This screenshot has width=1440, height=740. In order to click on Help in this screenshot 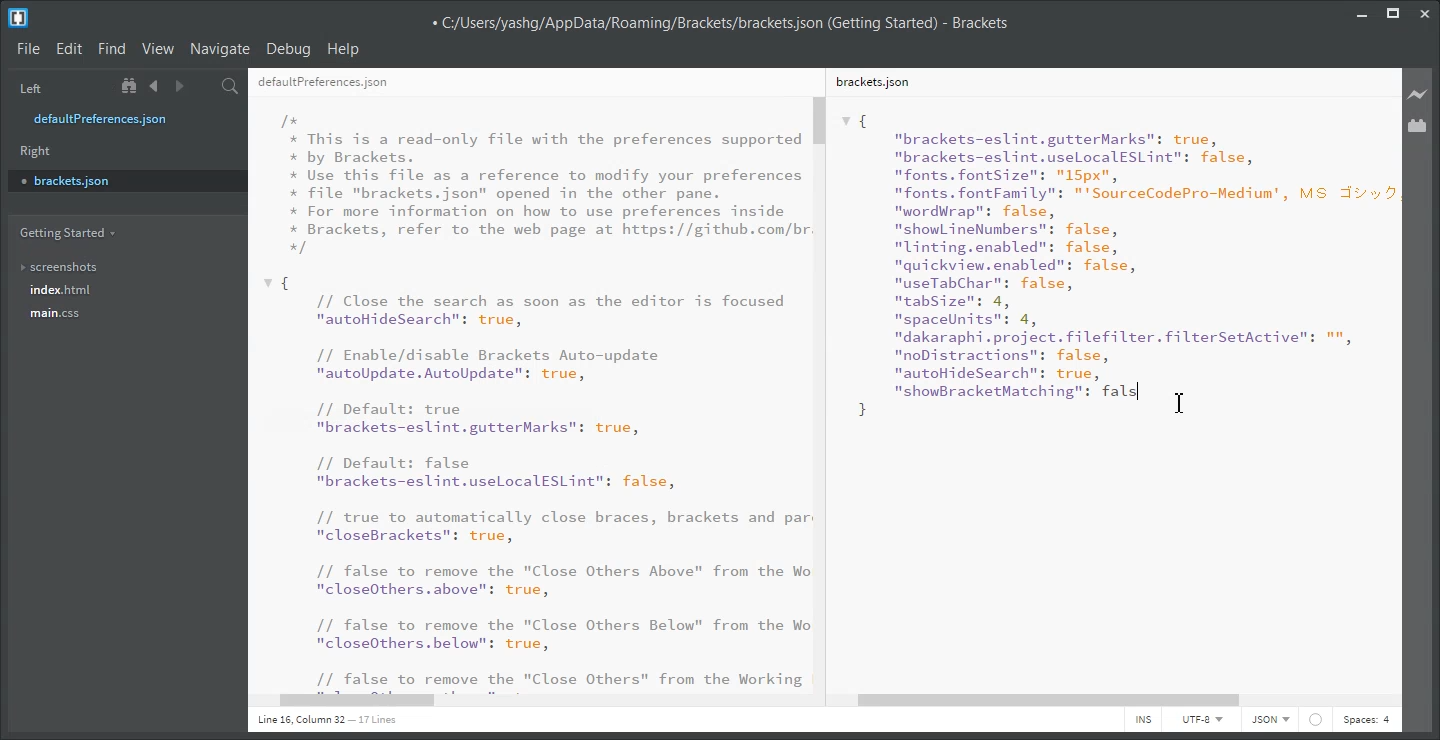, I will do `click(345, 49)`.